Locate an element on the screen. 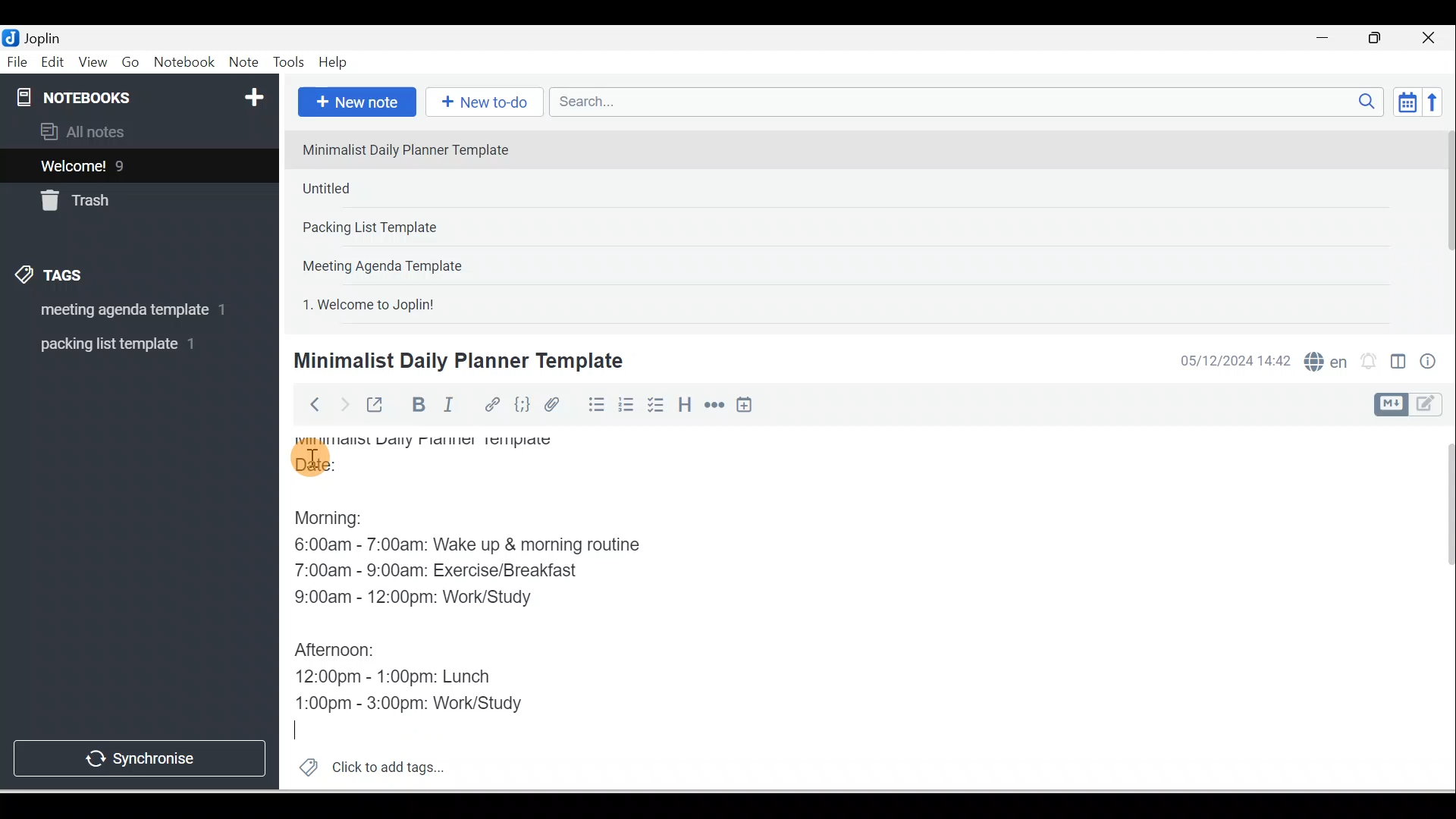 This screenshot has width=1456, height=819. Attach file is located at coordinates (556, 404).